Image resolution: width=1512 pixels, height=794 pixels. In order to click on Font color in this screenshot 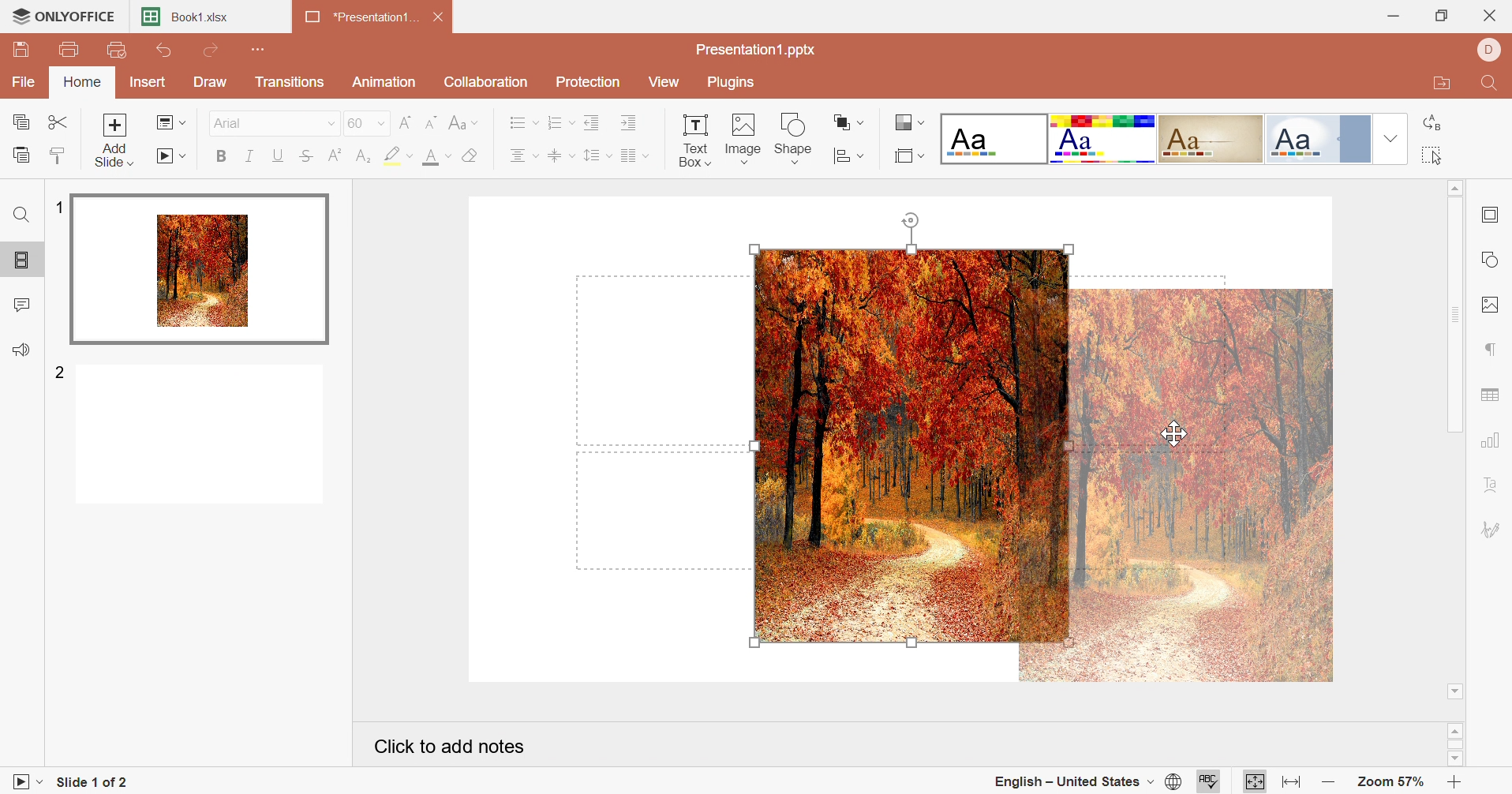, I will do `click(432, 158)`.